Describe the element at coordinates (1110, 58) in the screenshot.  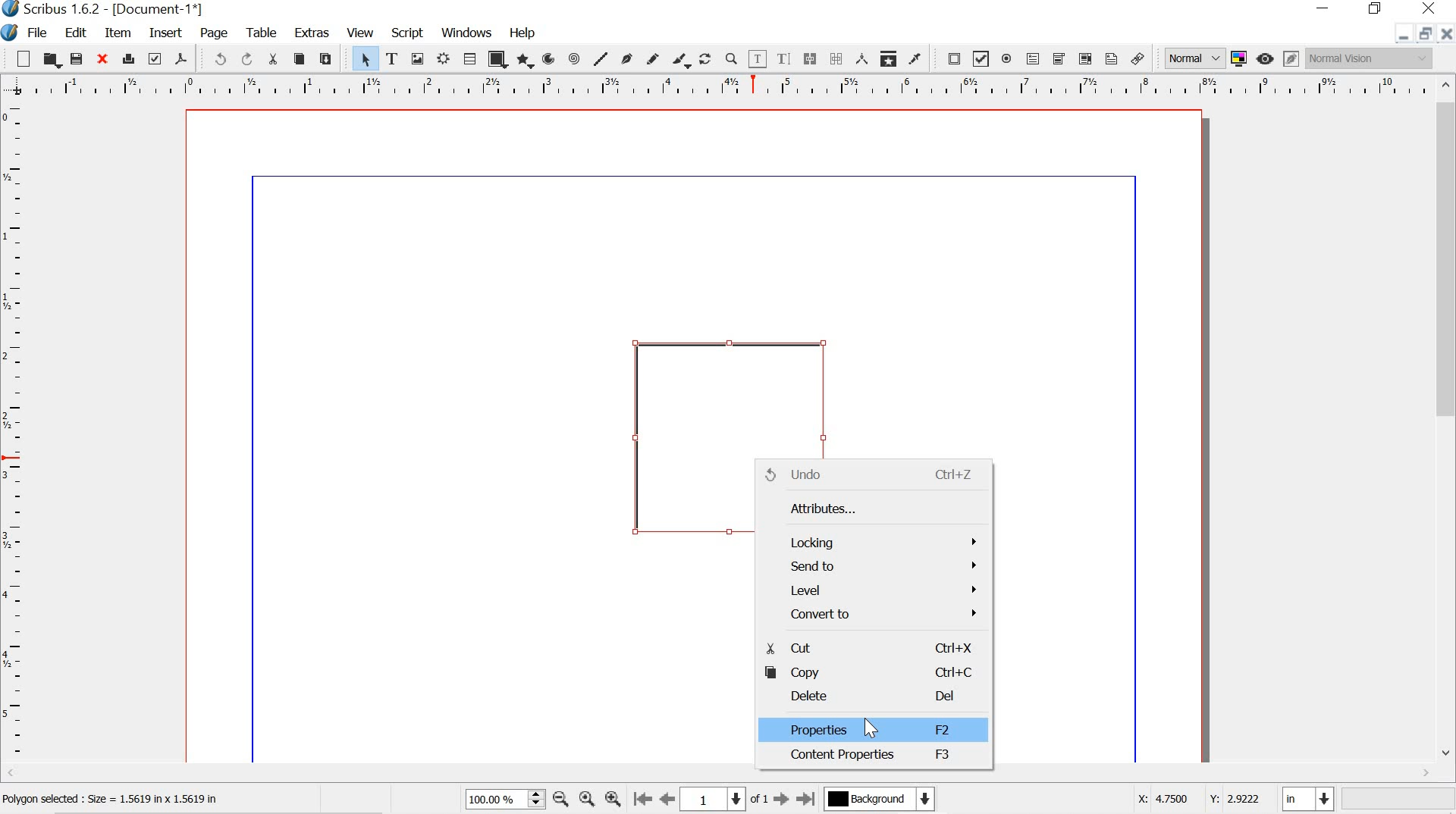
I see `text annotation` at that location.